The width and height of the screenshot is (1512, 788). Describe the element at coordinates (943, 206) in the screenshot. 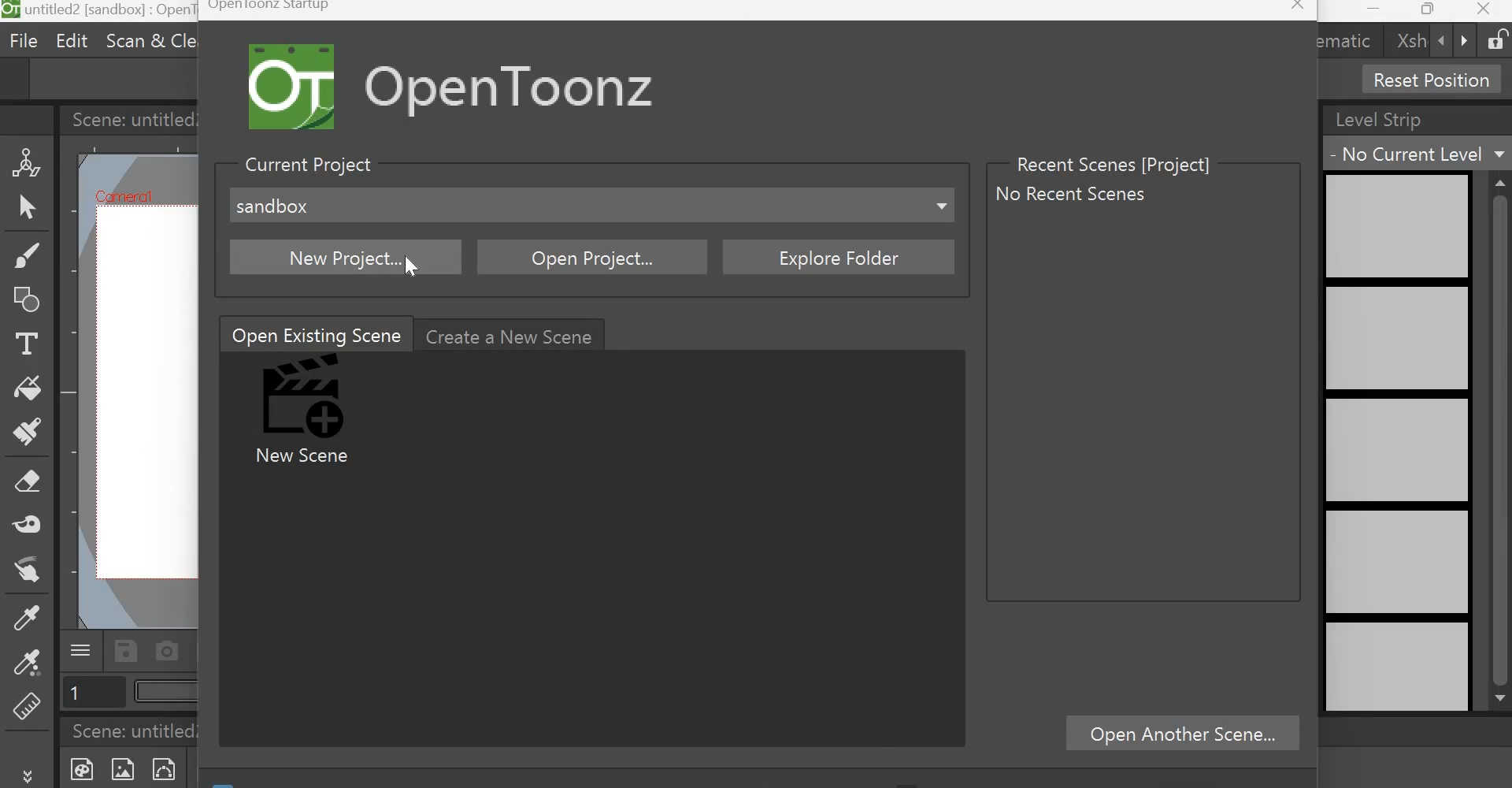

I see `Dropdown` at that location.